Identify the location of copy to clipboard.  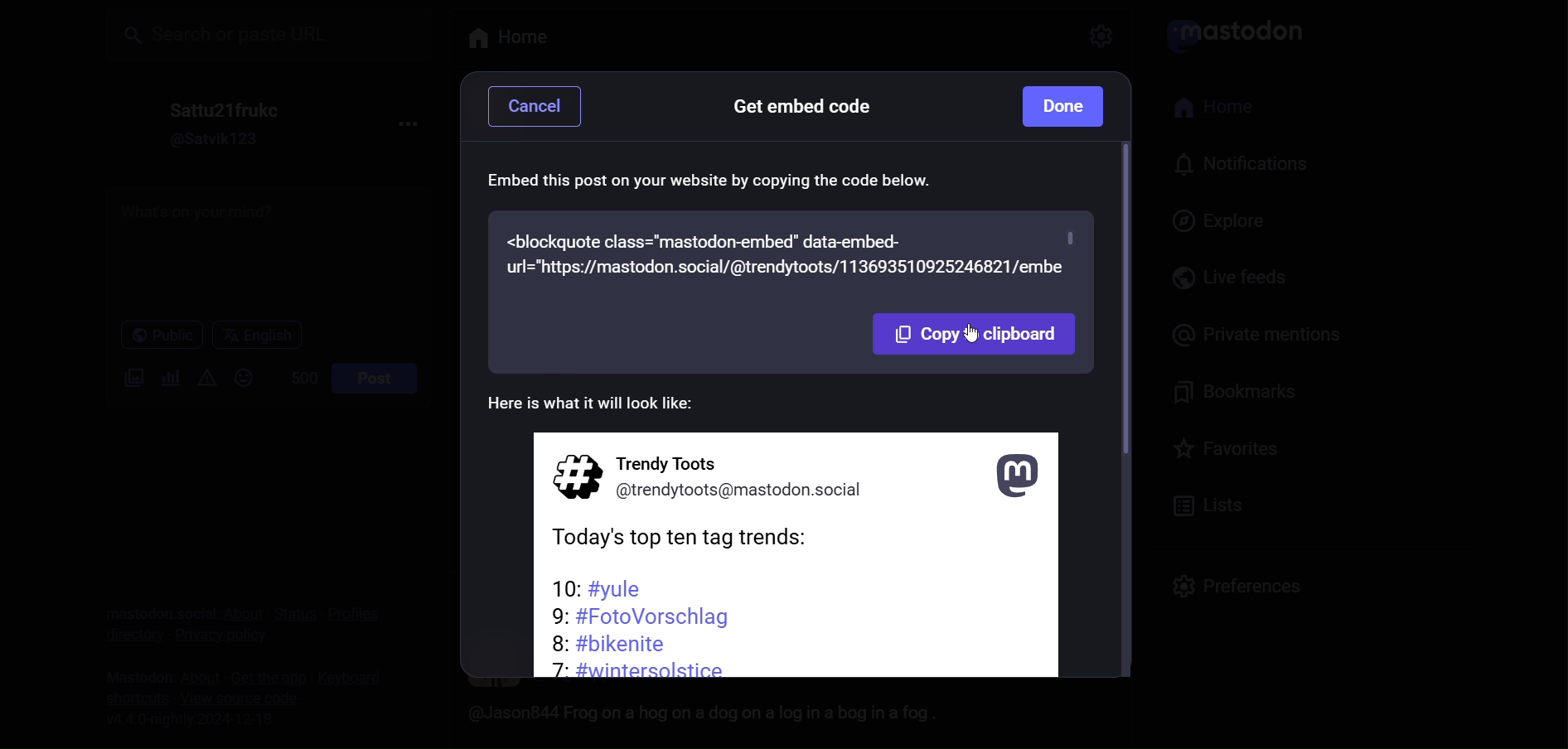
(967, 336).